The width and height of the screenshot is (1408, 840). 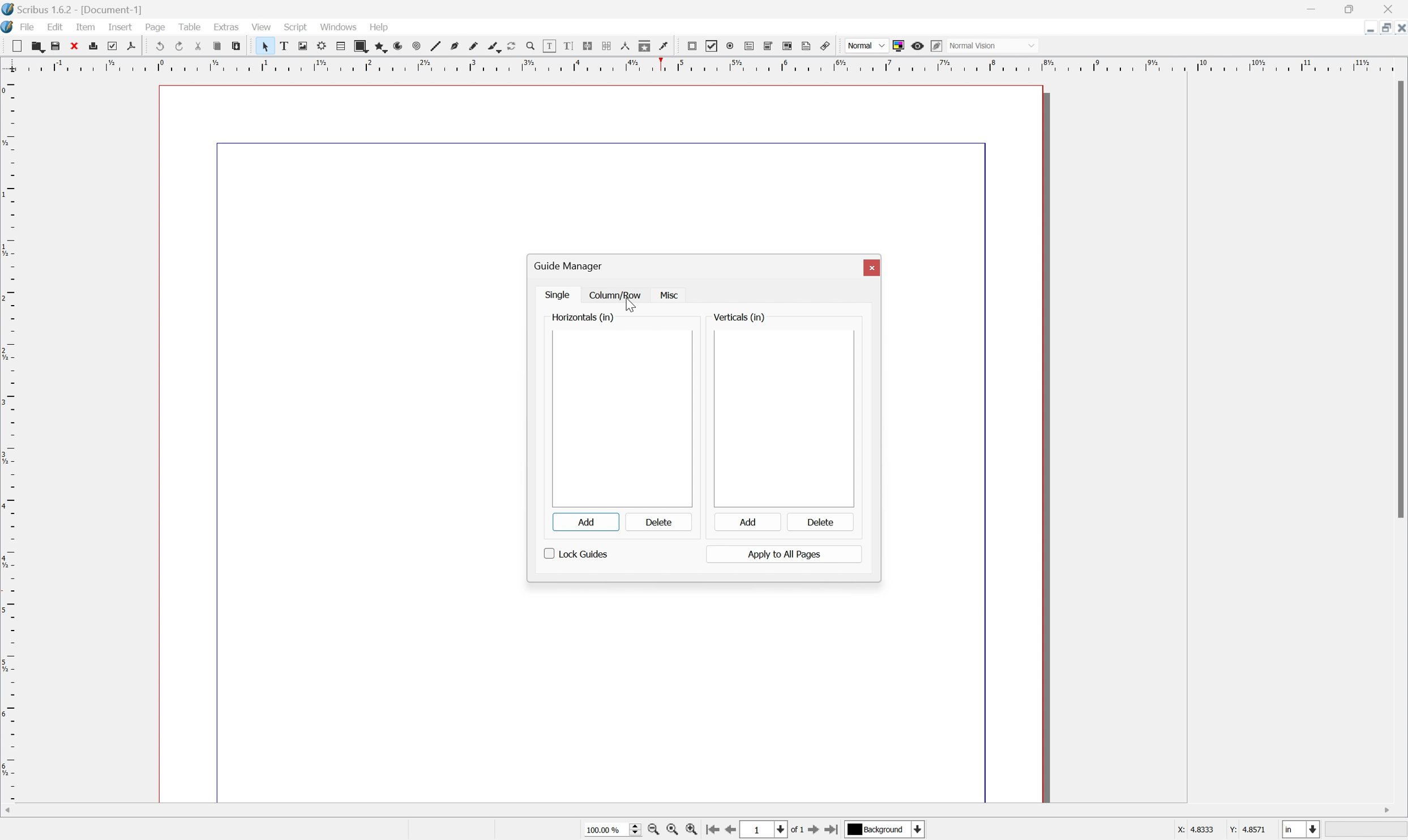 I want to click on go to previous page, so click(x=730, y=831).